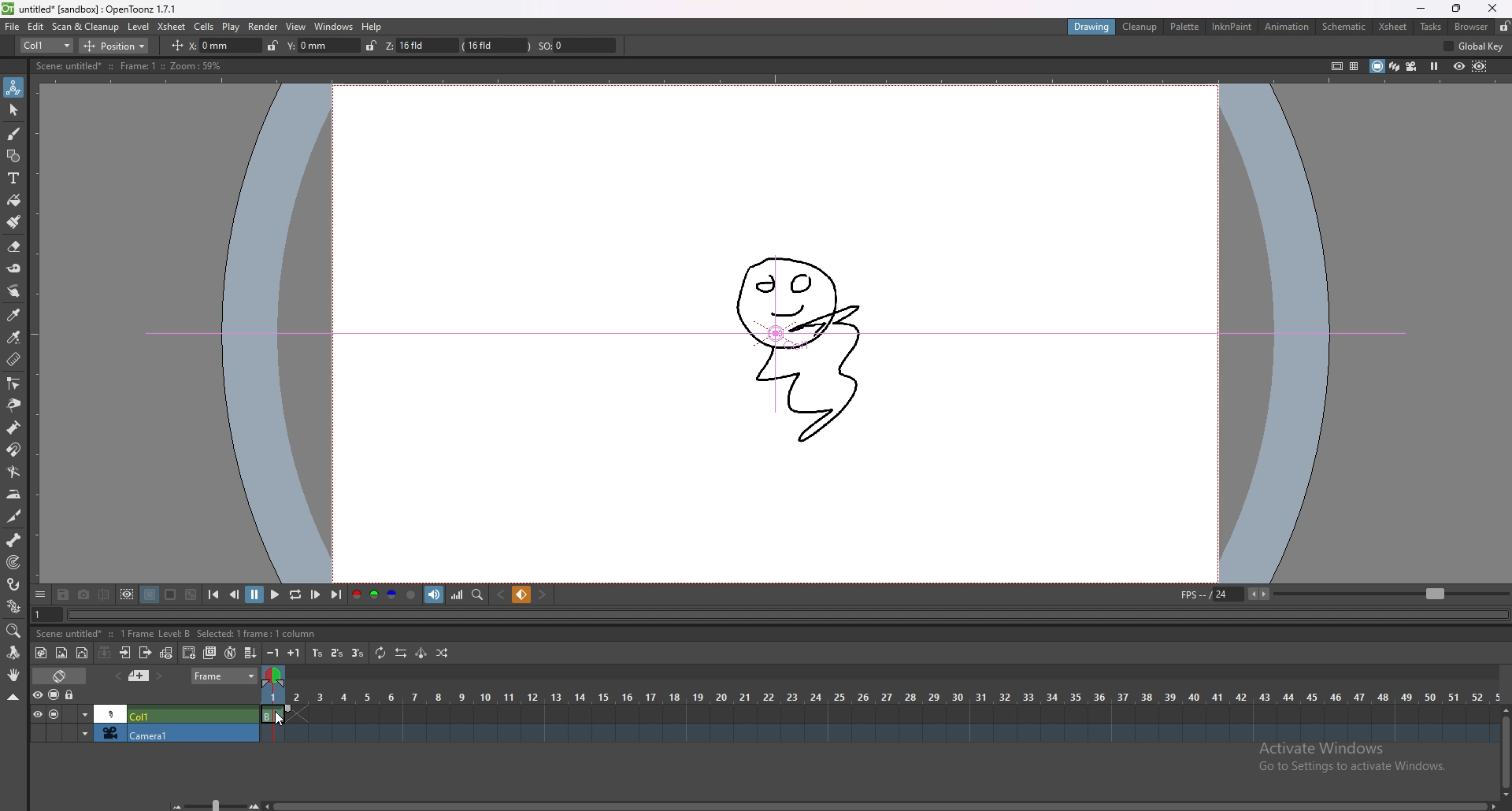 The width and height of the screenshot is (1512, 811). What do you see at coordinates (191, 594) in the screenshot?
I see `checkered background` at bounding box center [191, 594].